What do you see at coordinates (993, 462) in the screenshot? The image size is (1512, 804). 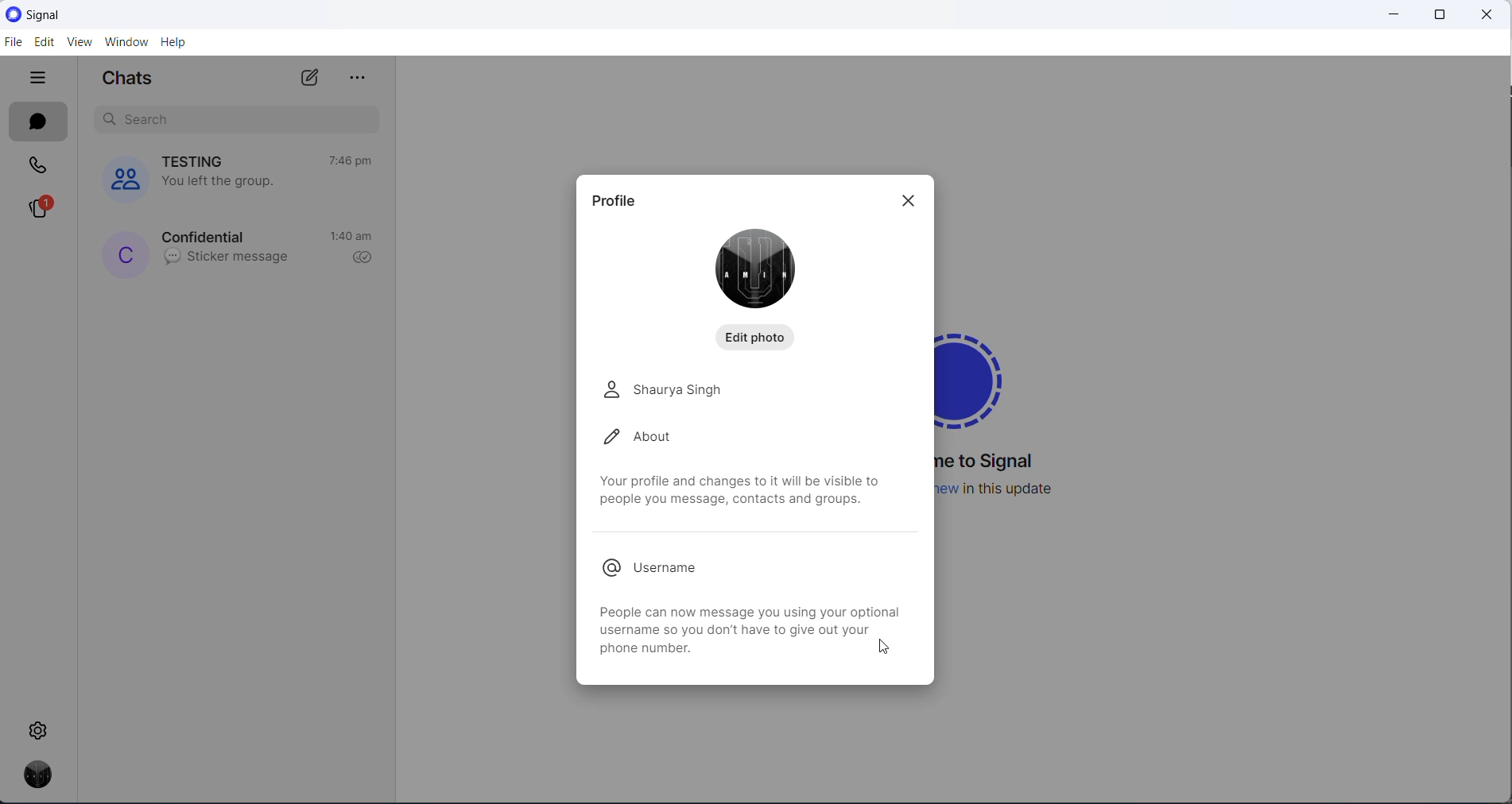 I see `welcome message` at bounding box center [993, 462].